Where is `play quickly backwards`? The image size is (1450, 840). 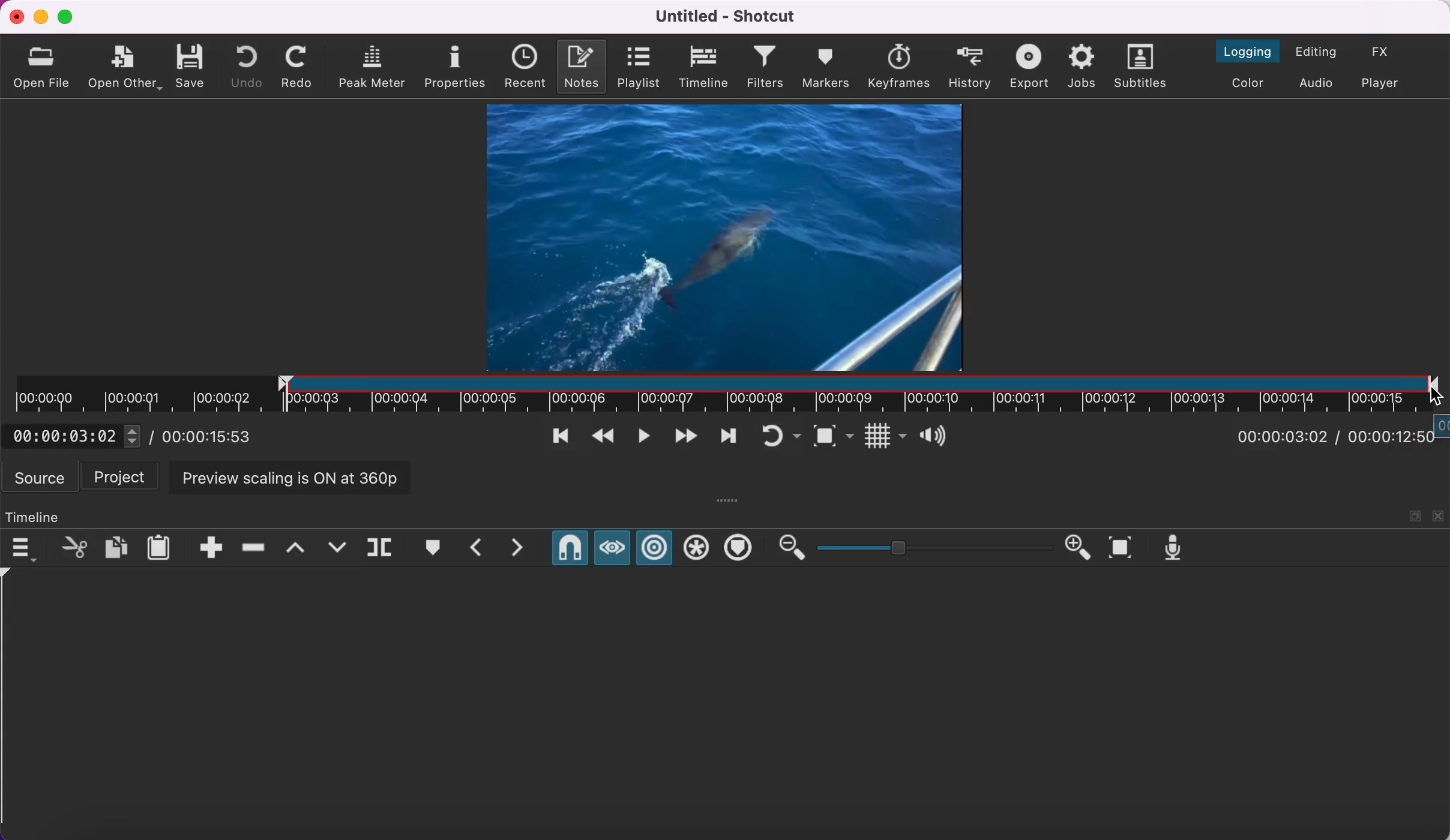
play quickly backwards is located at coordinates (602, 438).